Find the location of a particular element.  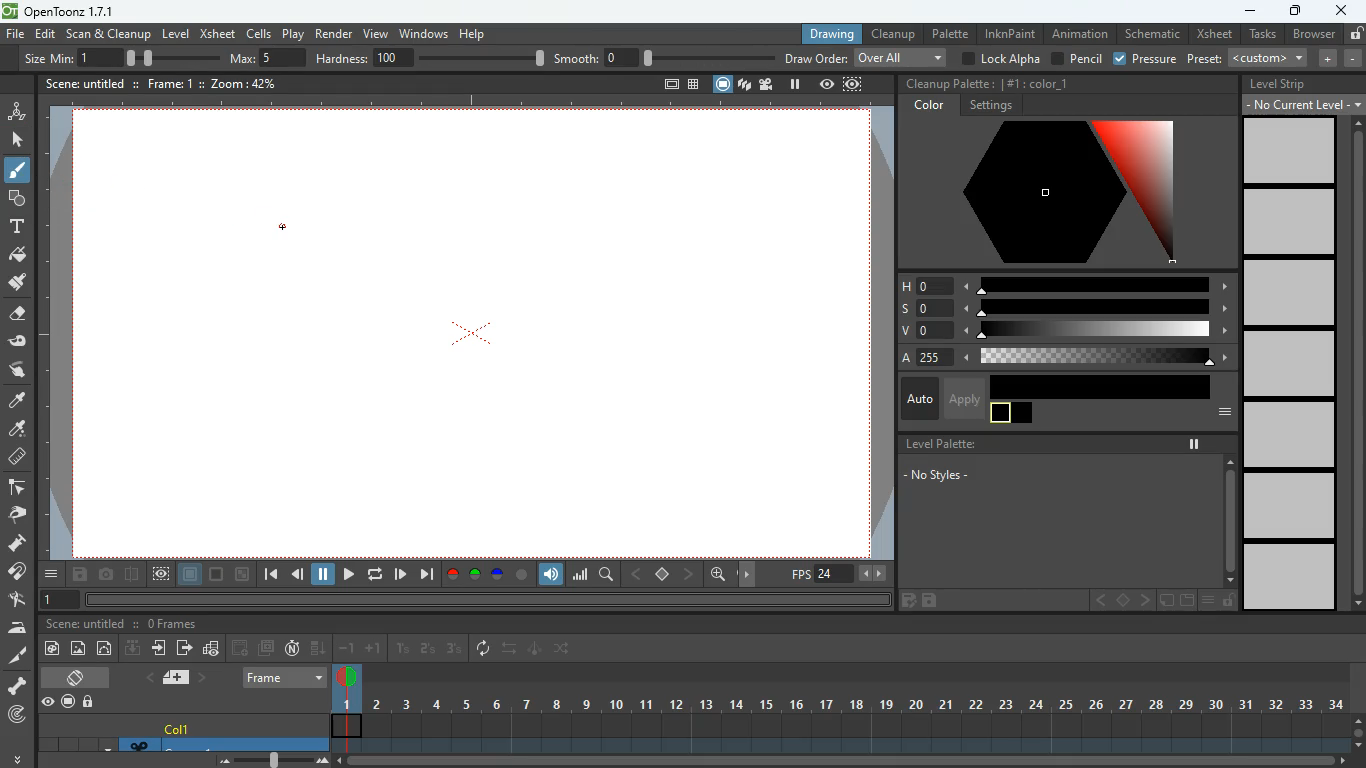

screen is located at coordinates (723, 84).